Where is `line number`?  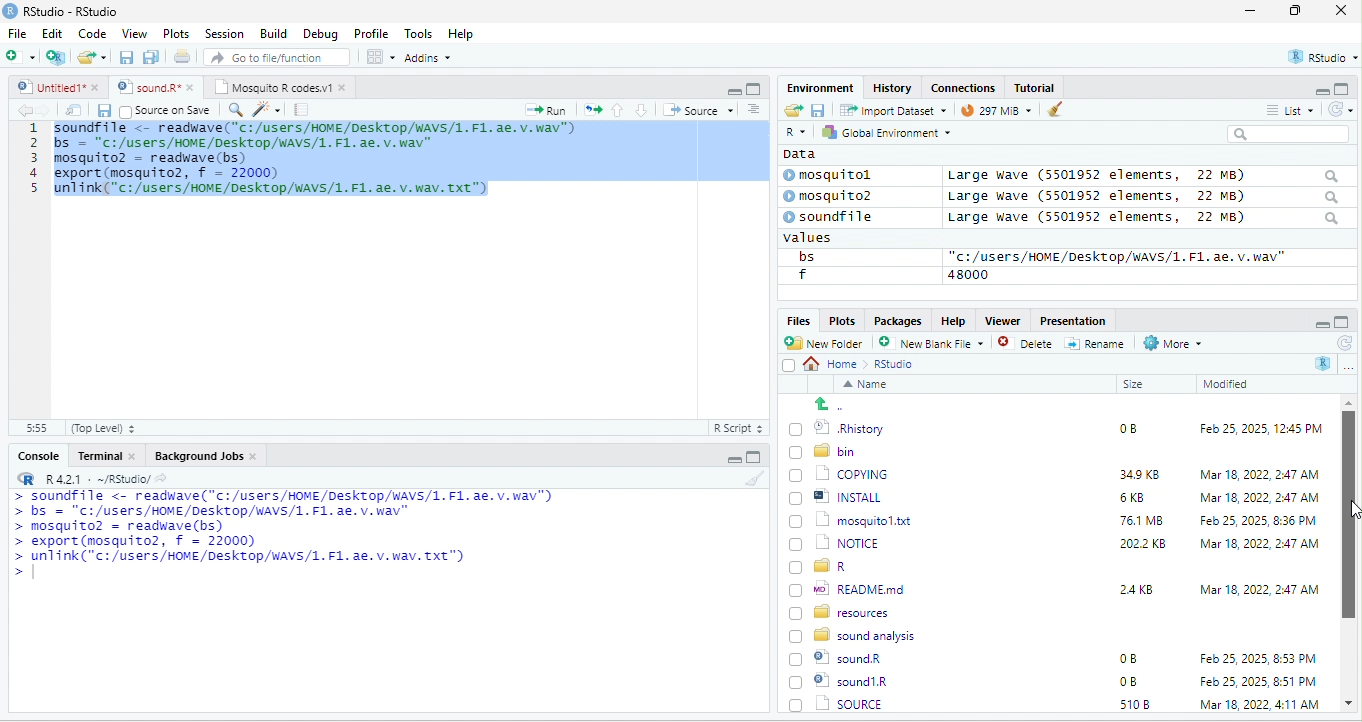 line number is located at coordinates (40, 268).